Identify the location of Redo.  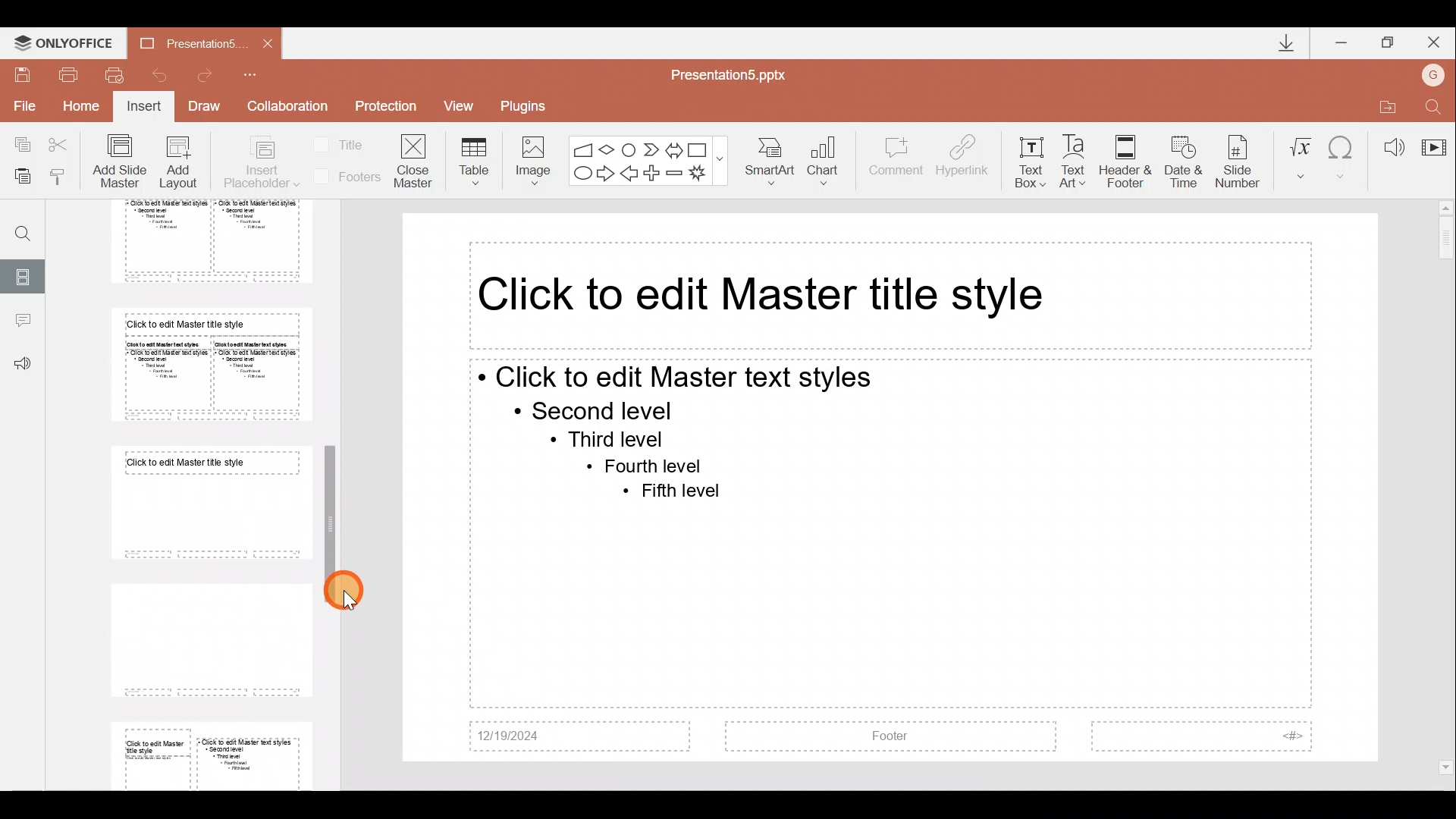
(211, 75).